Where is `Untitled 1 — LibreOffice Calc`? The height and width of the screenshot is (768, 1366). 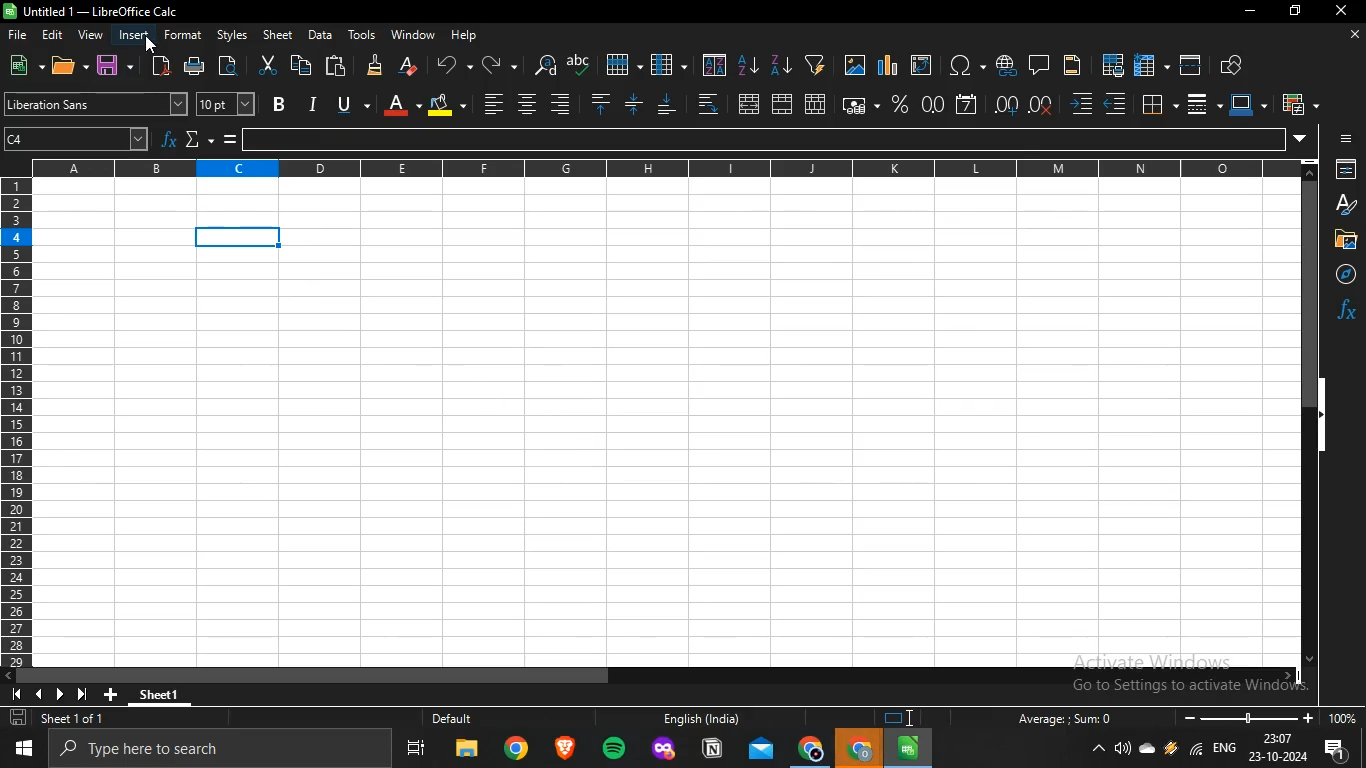 Untitled 1 — LibreOffice Calc is located at coordinates (94, 11).